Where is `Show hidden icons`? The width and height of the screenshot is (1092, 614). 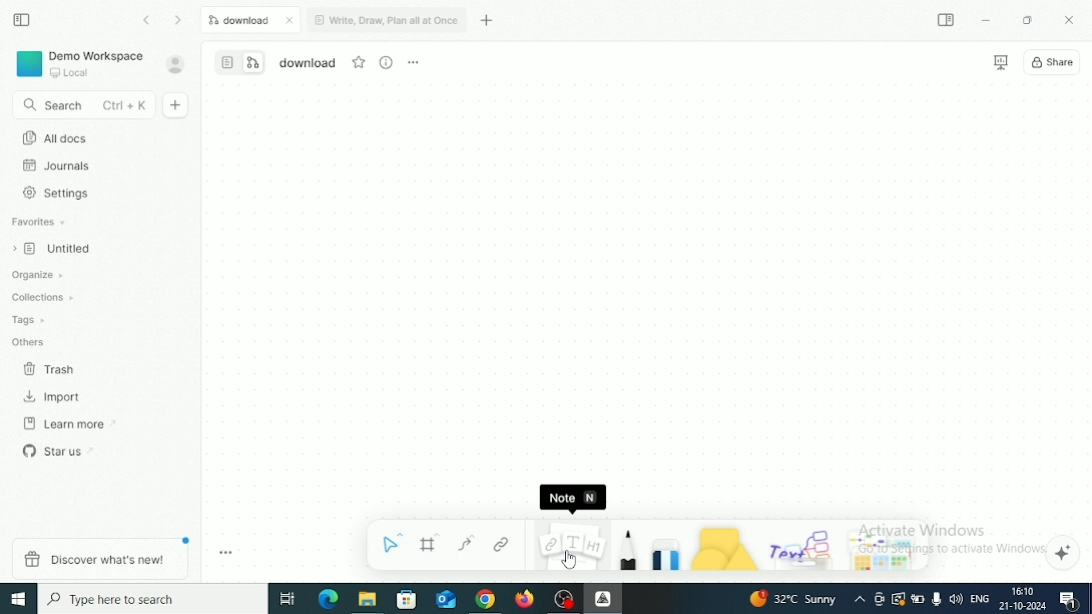 Show hidden icons is located at coordinates (860, 599).